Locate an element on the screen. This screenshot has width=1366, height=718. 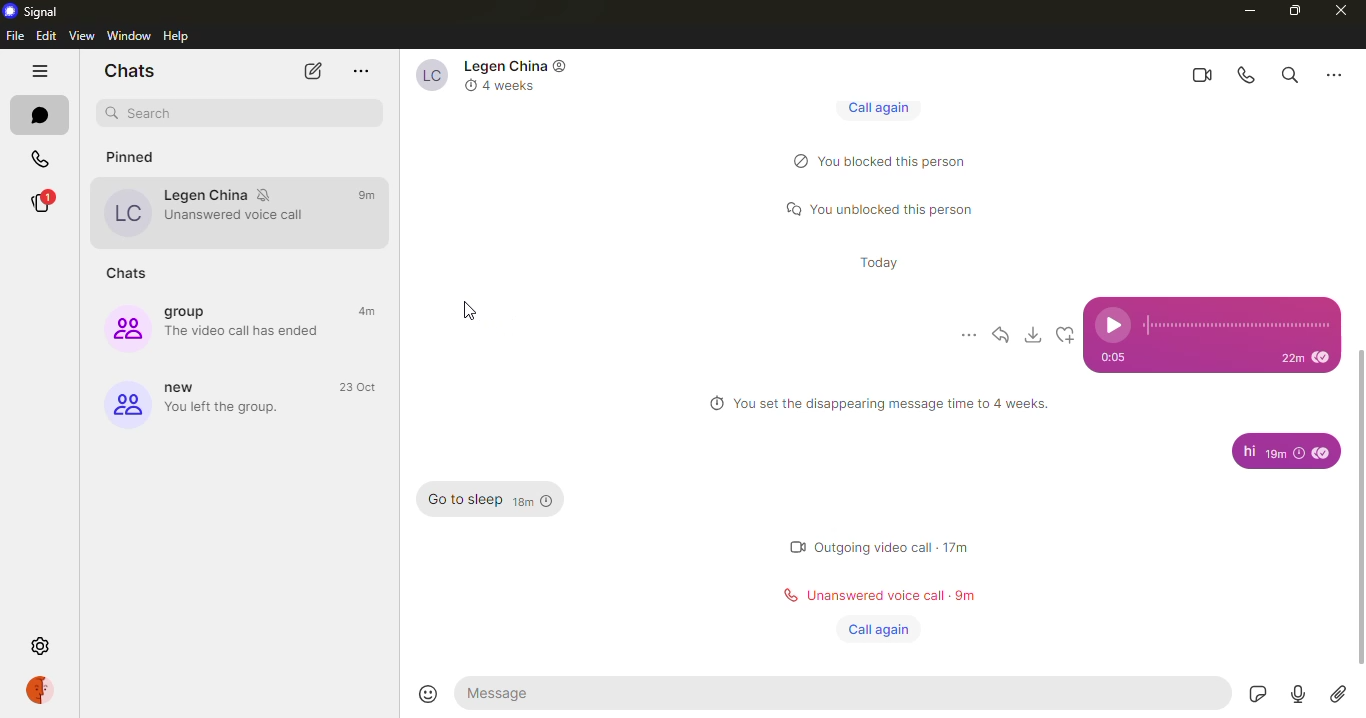
time is located at coordinates (362, 304).